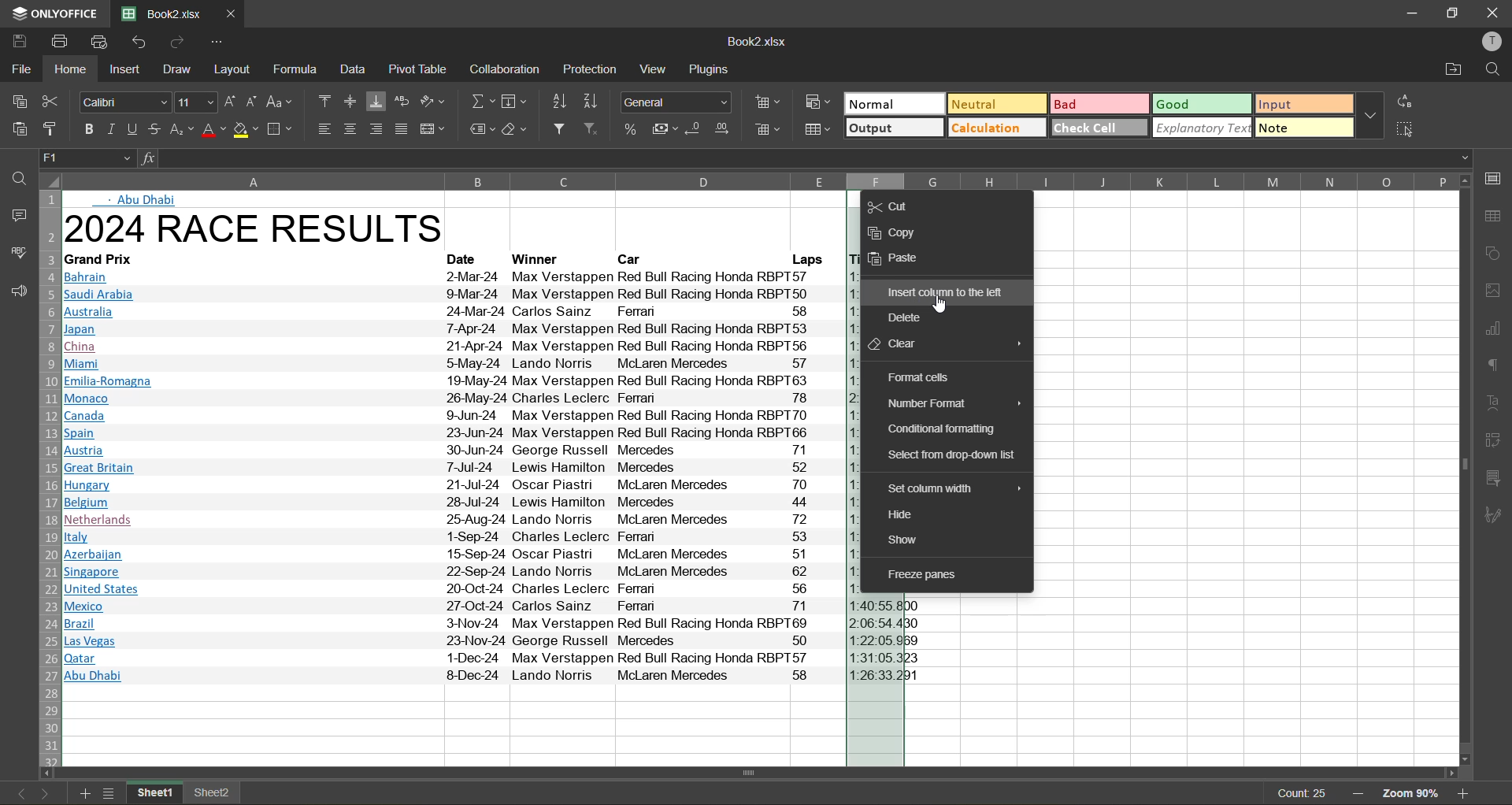  I want to click on bold, so click(86, 128).